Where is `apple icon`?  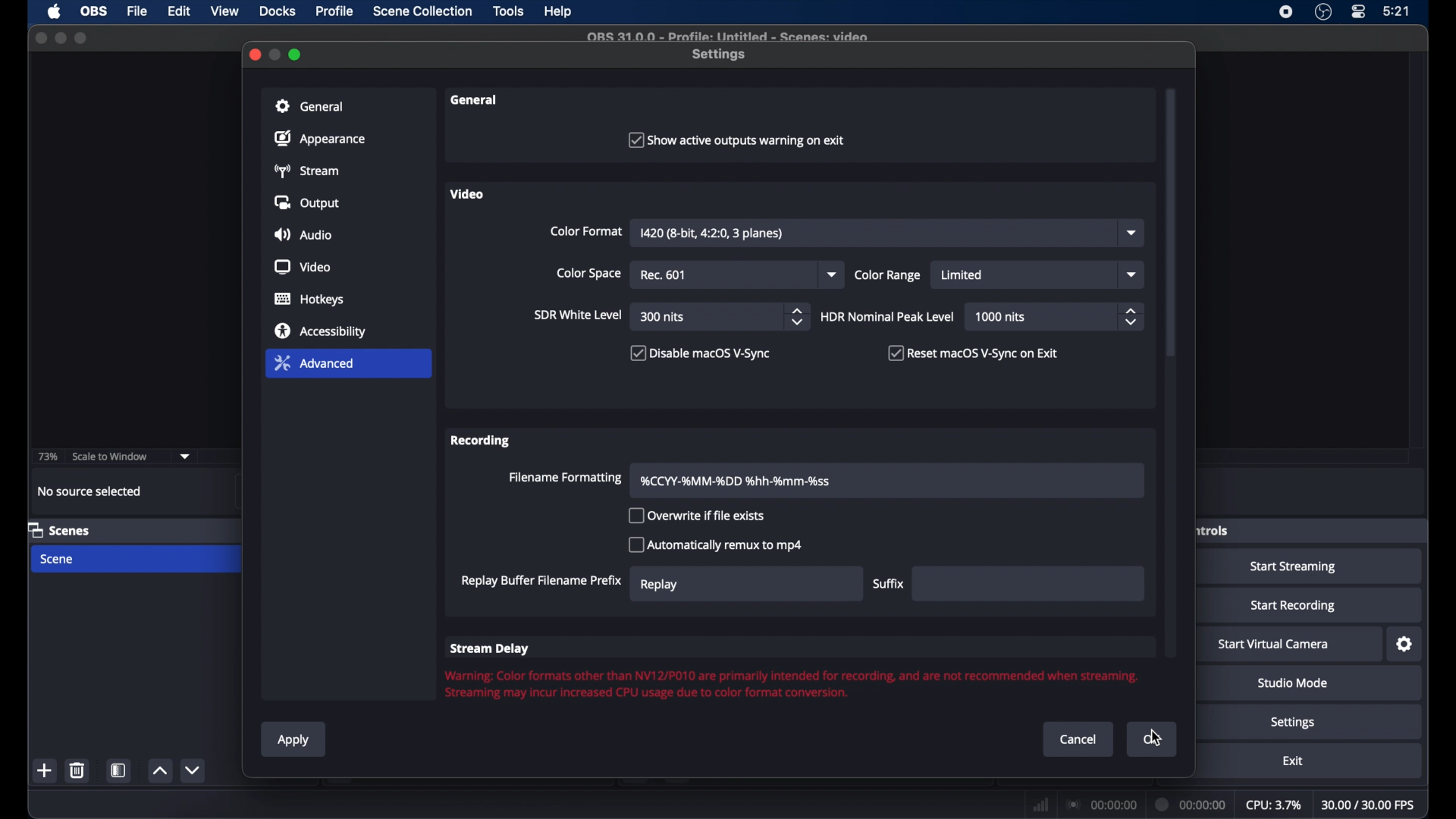 apple icon is located at coordinates (54, 11).